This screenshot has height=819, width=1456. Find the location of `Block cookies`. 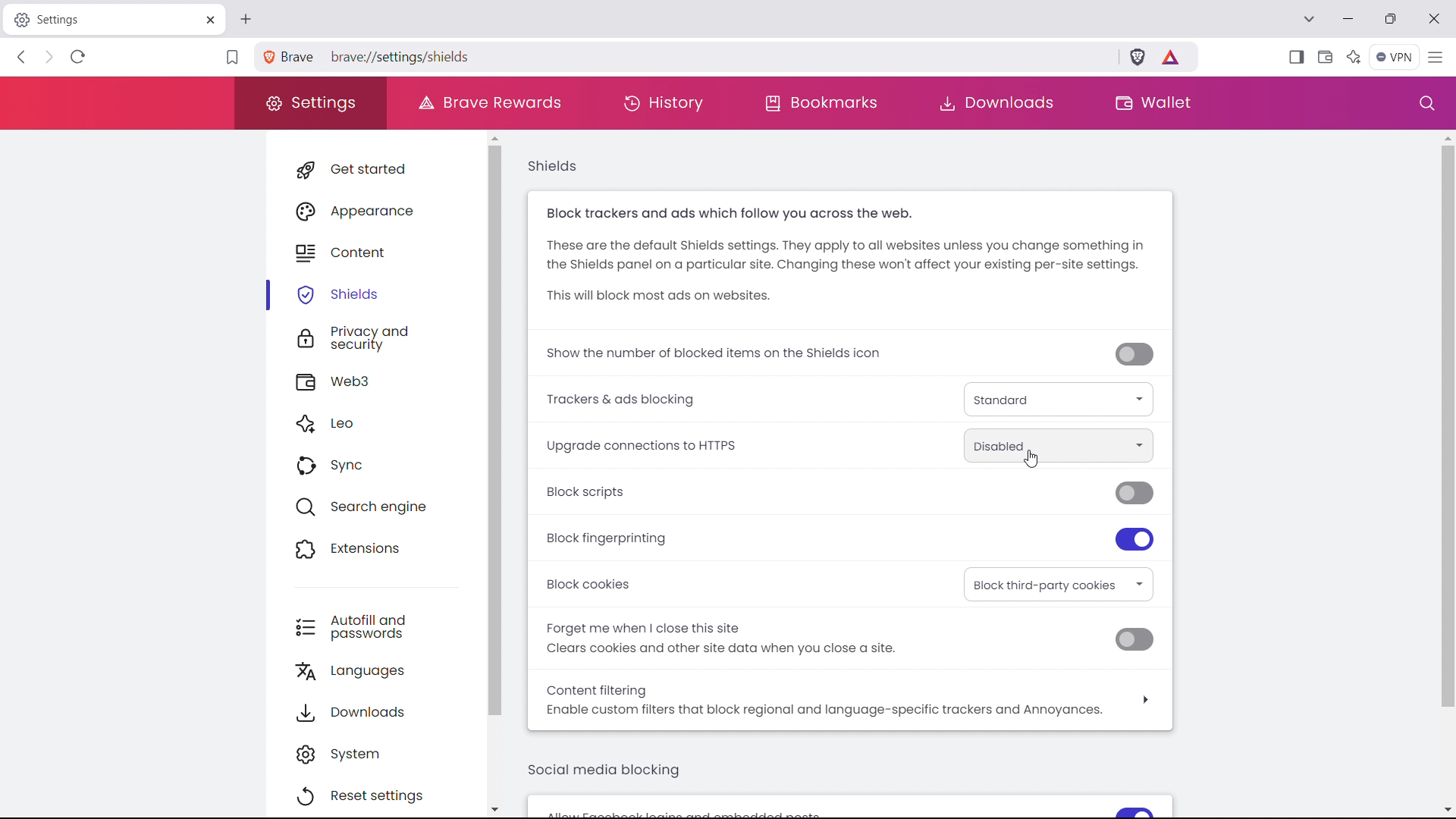

Block cookies is located at coordinates (591, 584).